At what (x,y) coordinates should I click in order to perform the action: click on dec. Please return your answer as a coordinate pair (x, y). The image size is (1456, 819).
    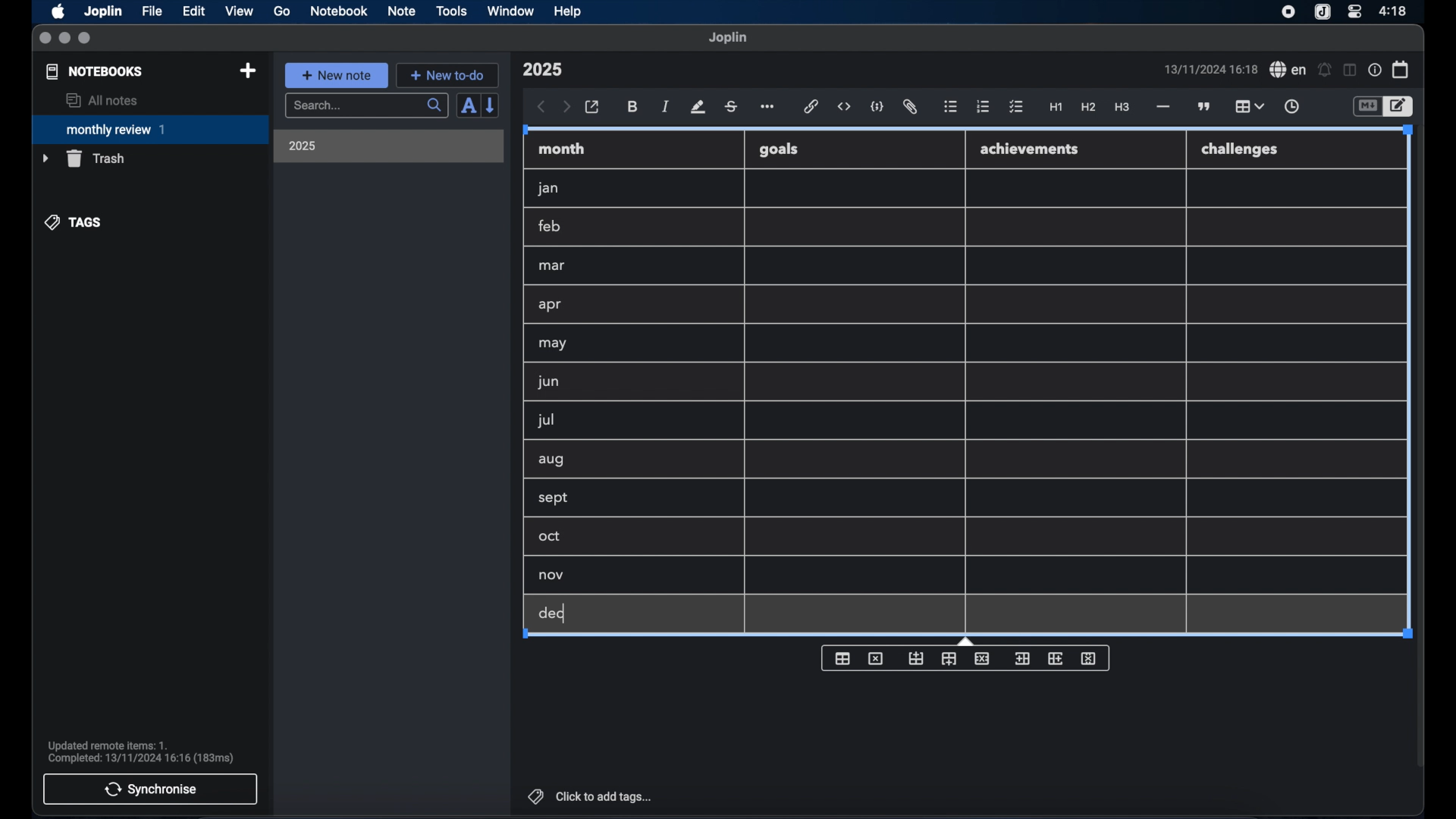
    Looking at the image, I should click on (551, 613).